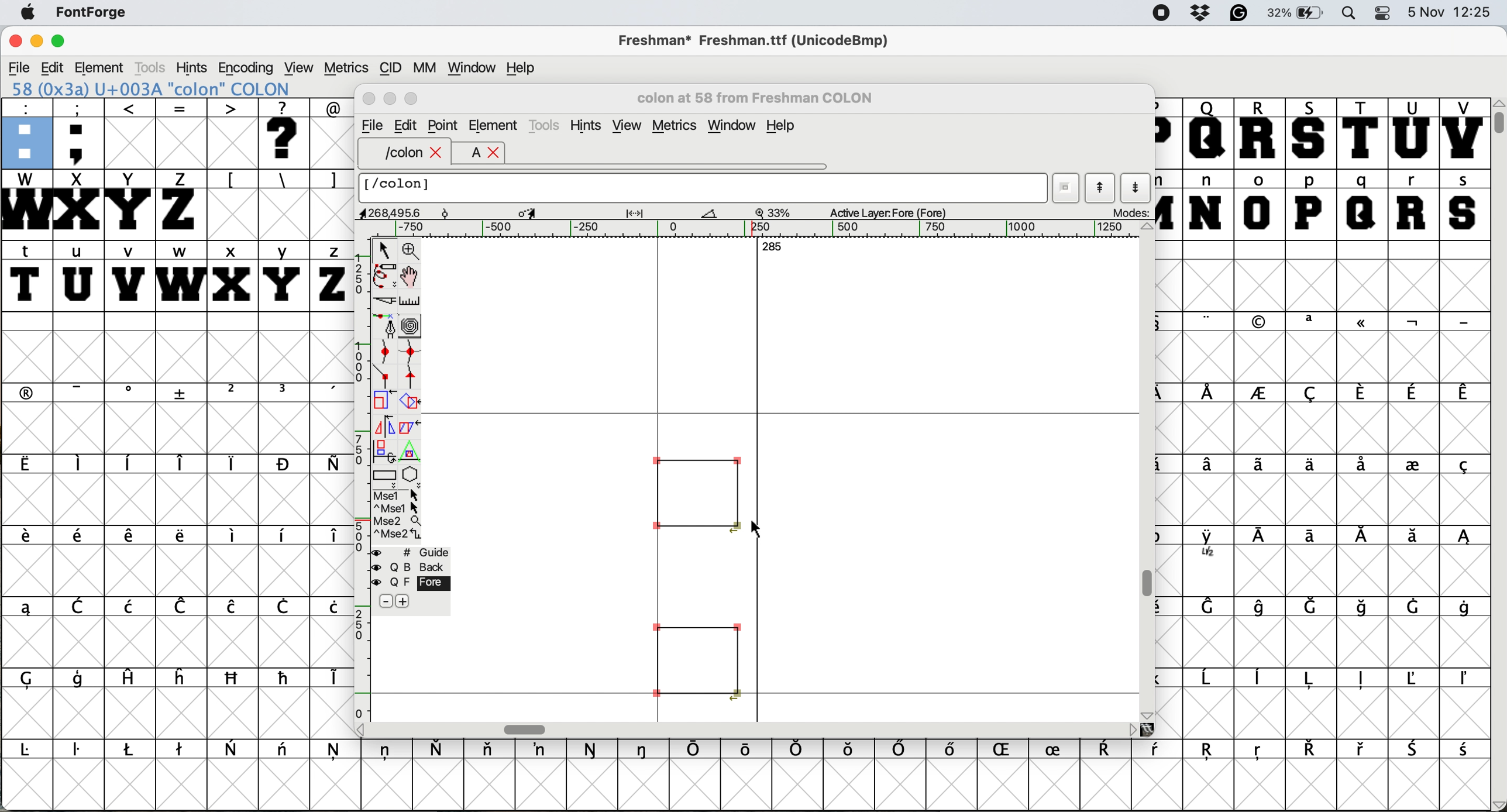  What do you see at coordinates (747, 748) in the screenshot?
I see `symbol` at bounding box center [747, 748].